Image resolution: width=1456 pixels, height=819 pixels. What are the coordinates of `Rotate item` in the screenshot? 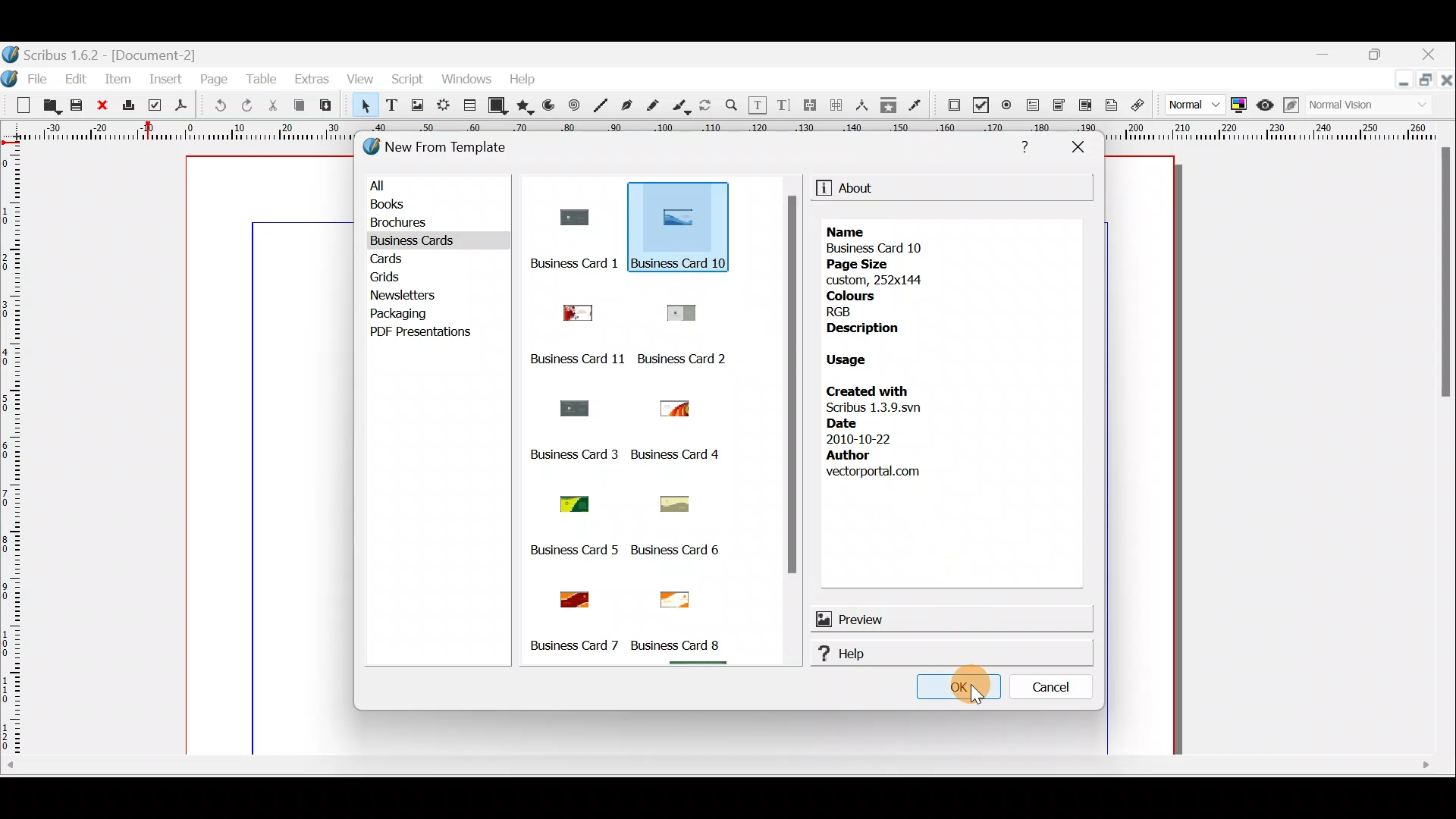 It's located at (706, 106).